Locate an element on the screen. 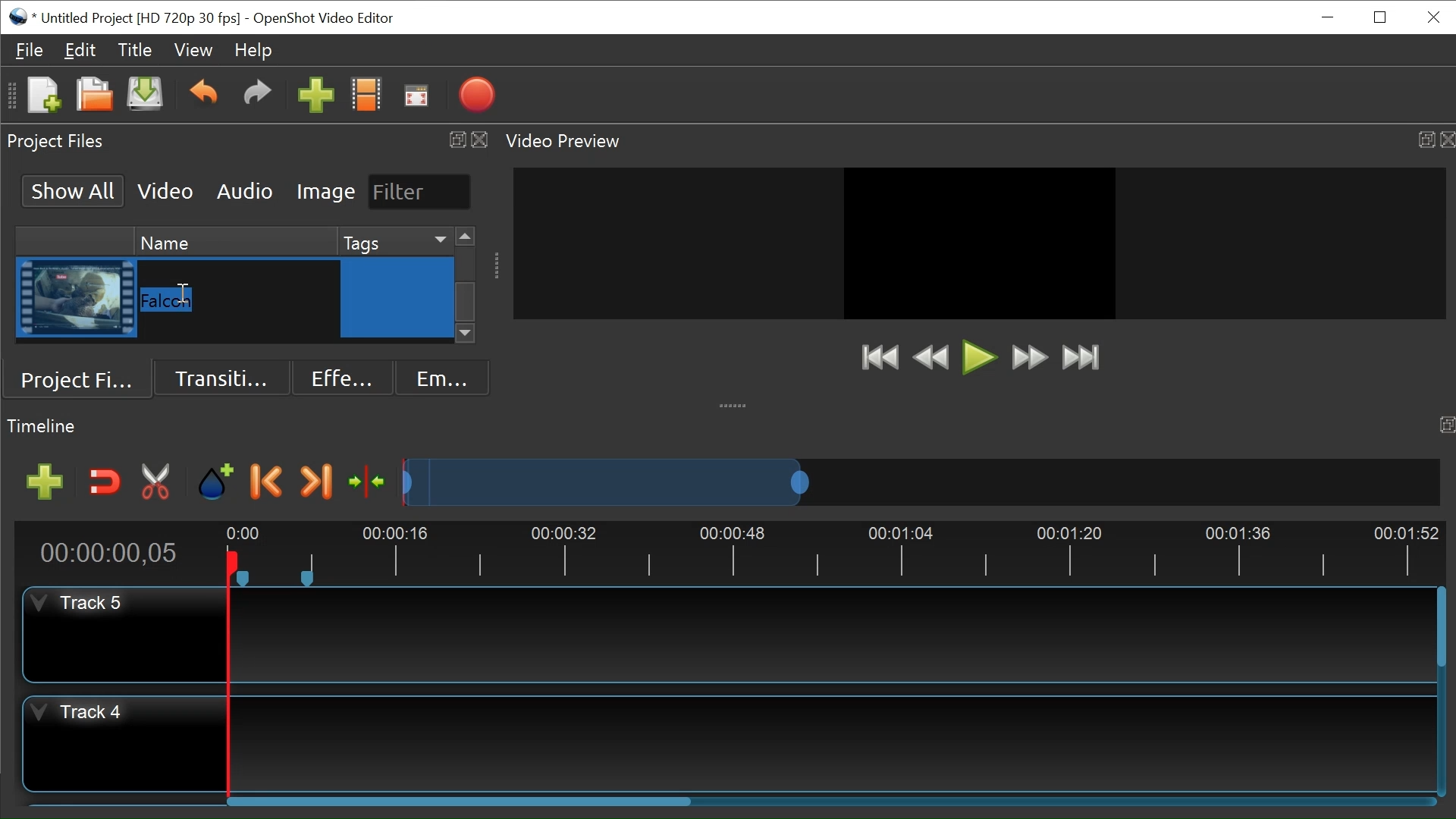 The image size is (1456, 819). Insertion cursor is located at coordinates (181, 293).